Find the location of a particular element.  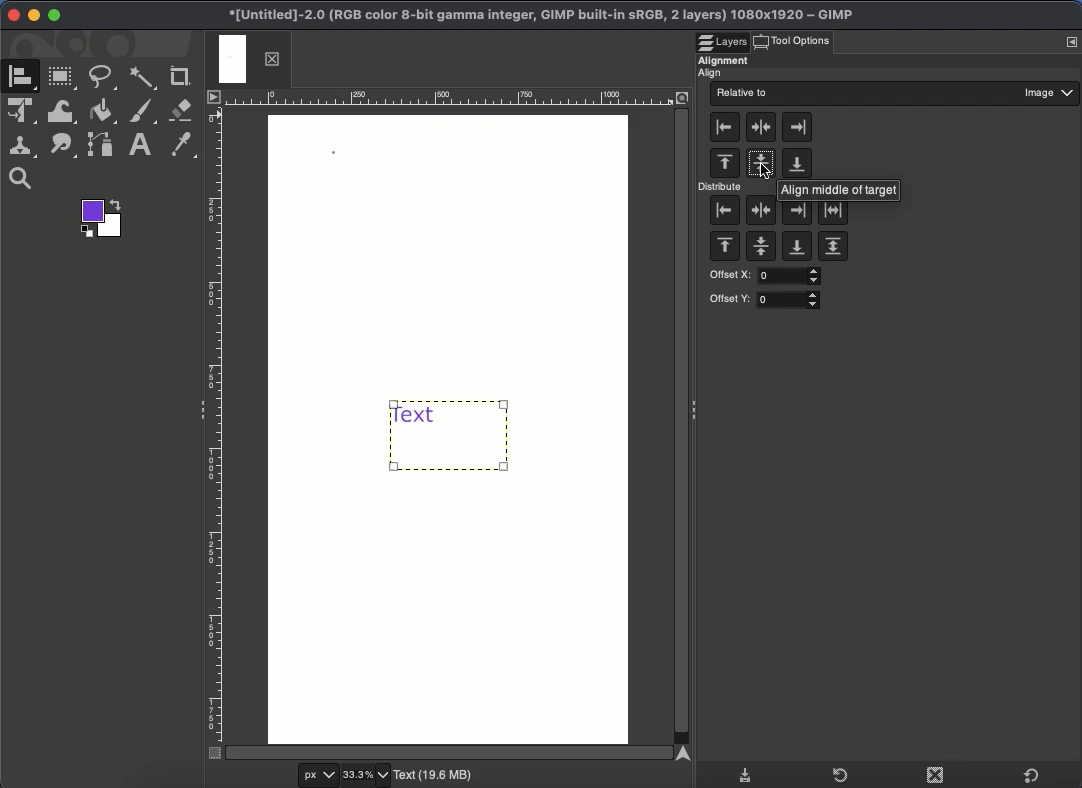

Default tool presets is located at coordinates (1031, 773).